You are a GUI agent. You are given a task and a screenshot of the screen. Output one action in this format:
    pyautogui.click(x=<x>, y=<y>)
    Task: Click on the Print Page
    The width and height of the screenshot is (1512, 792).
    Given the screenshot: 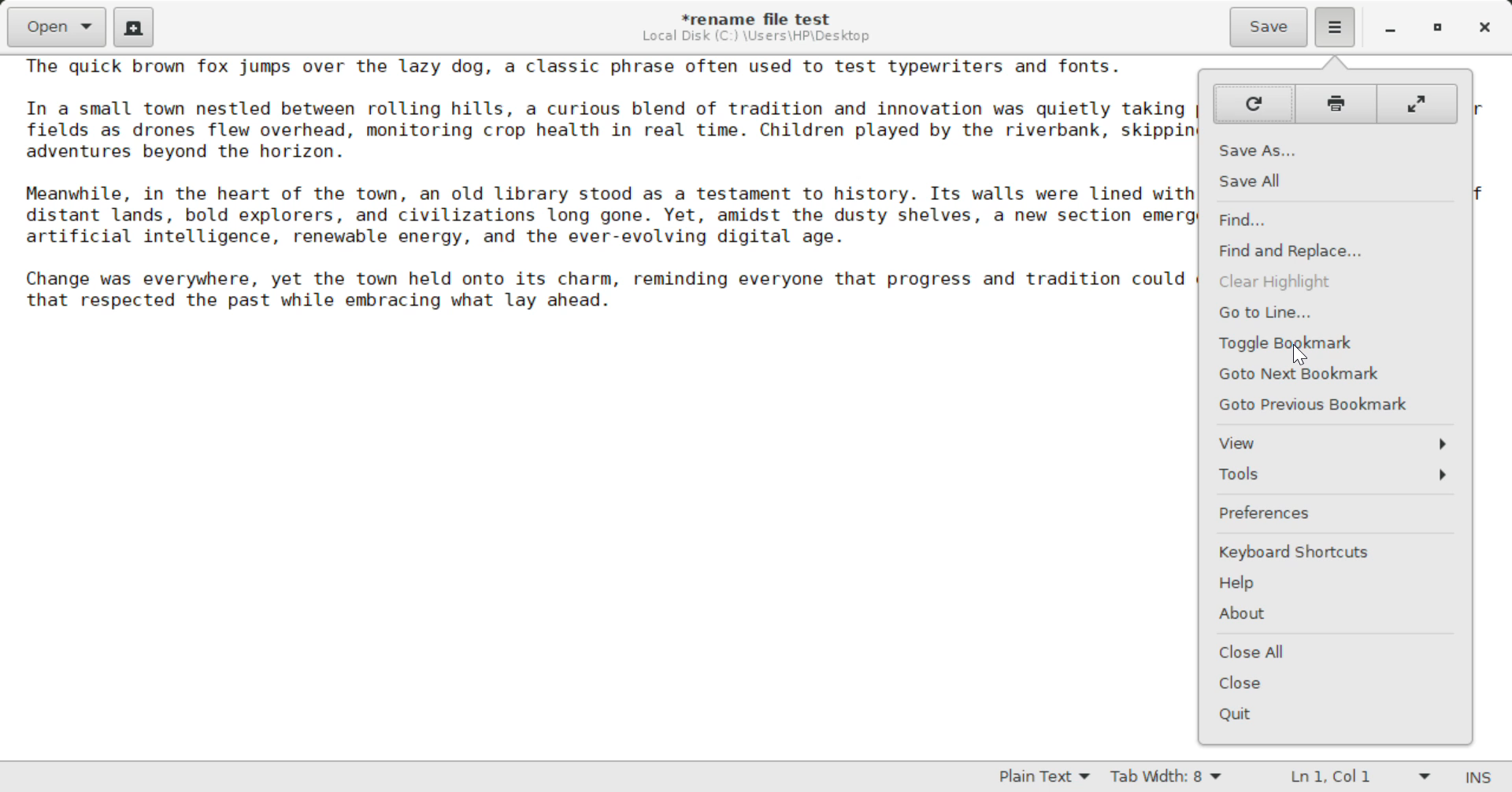 What is the action you would take?
    pyautogui.click(x=1340, y=103)
    